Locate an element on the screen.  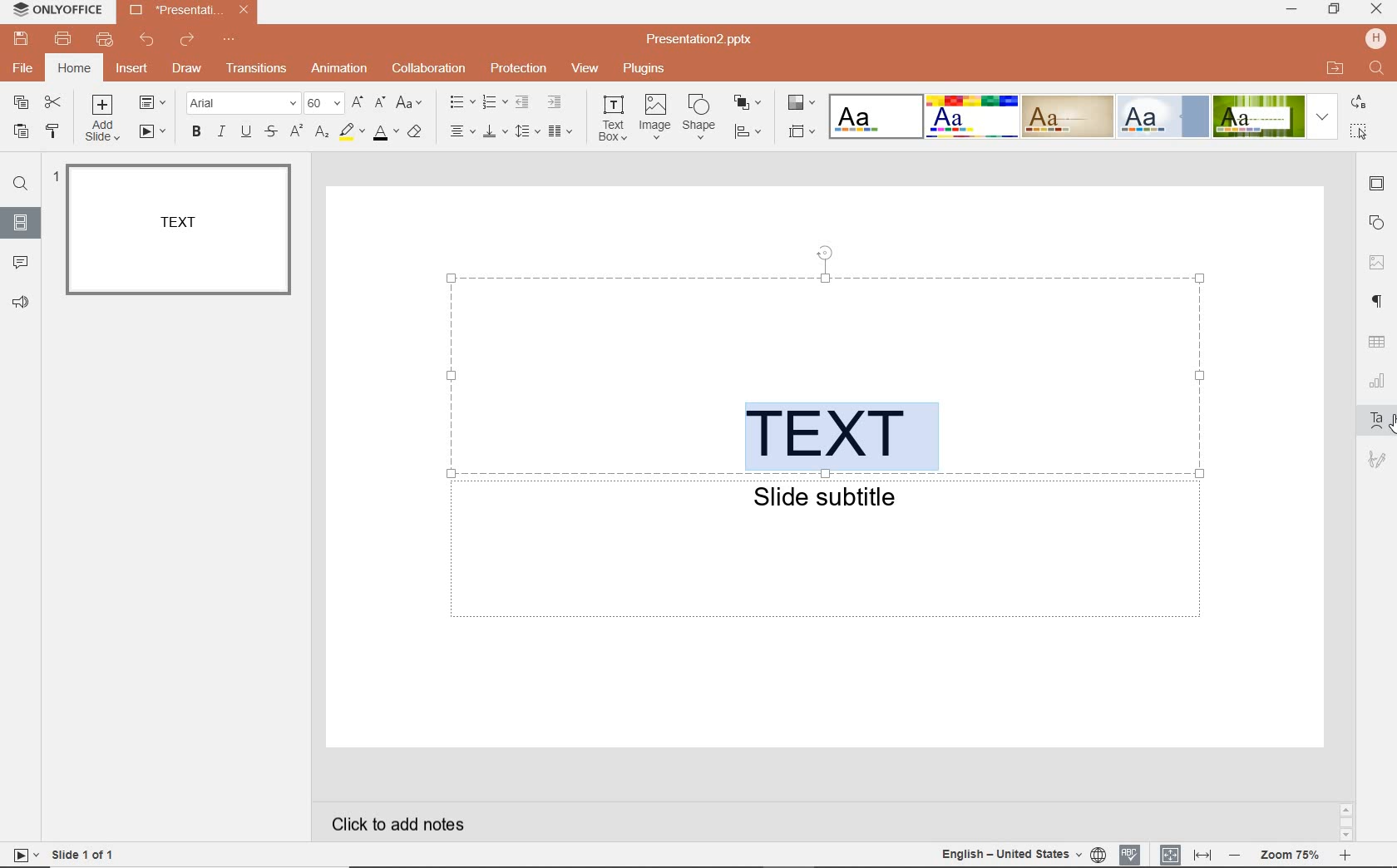
hp is located at coordinates (1375, 37).